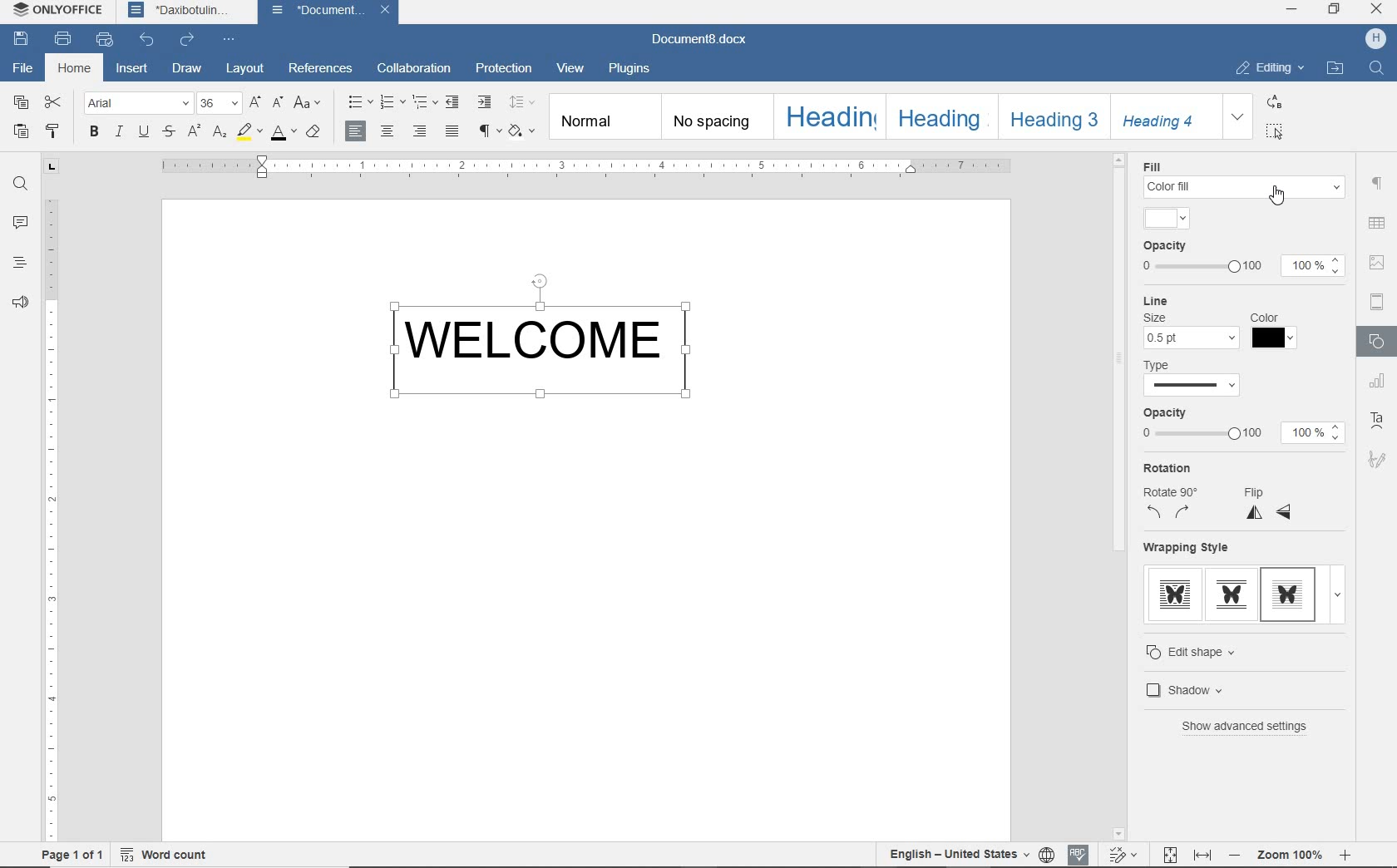 This screenshot has width=1397, height=868. Describe the element at coordinates (959, 855) in the screenshot. I see `TEXT LANGUAGE` at that location.